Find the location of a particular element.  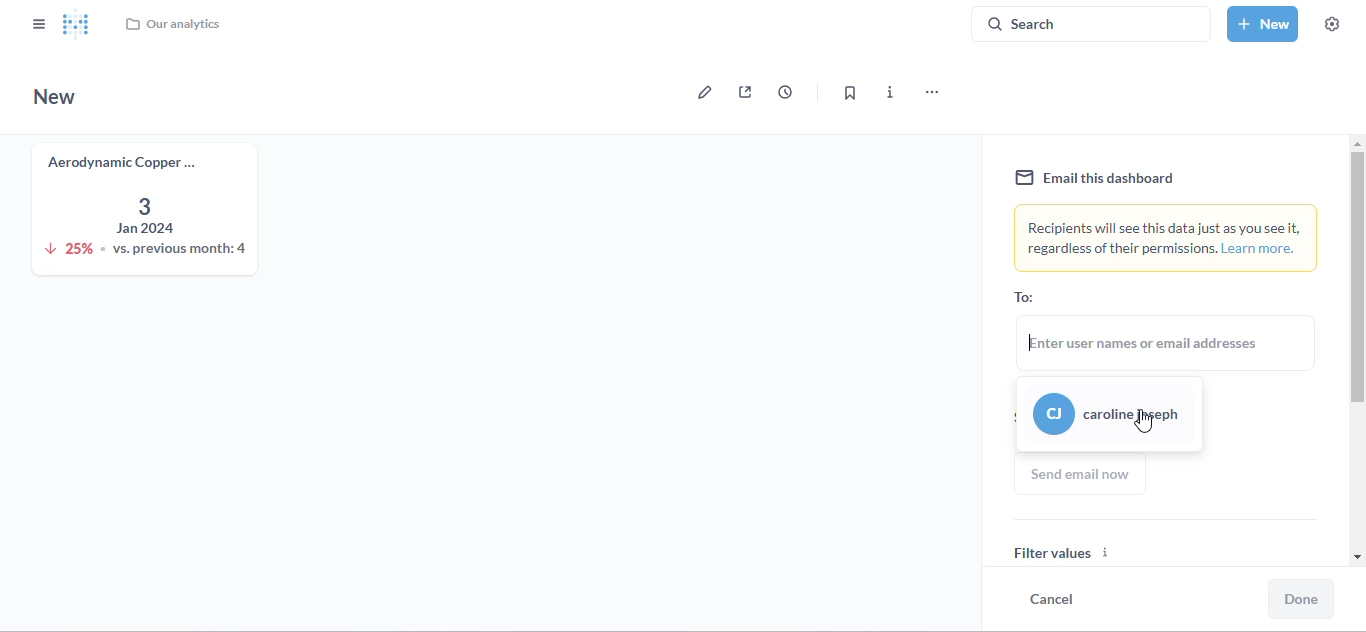

auto-refresh is located at coordinates (785, 91).